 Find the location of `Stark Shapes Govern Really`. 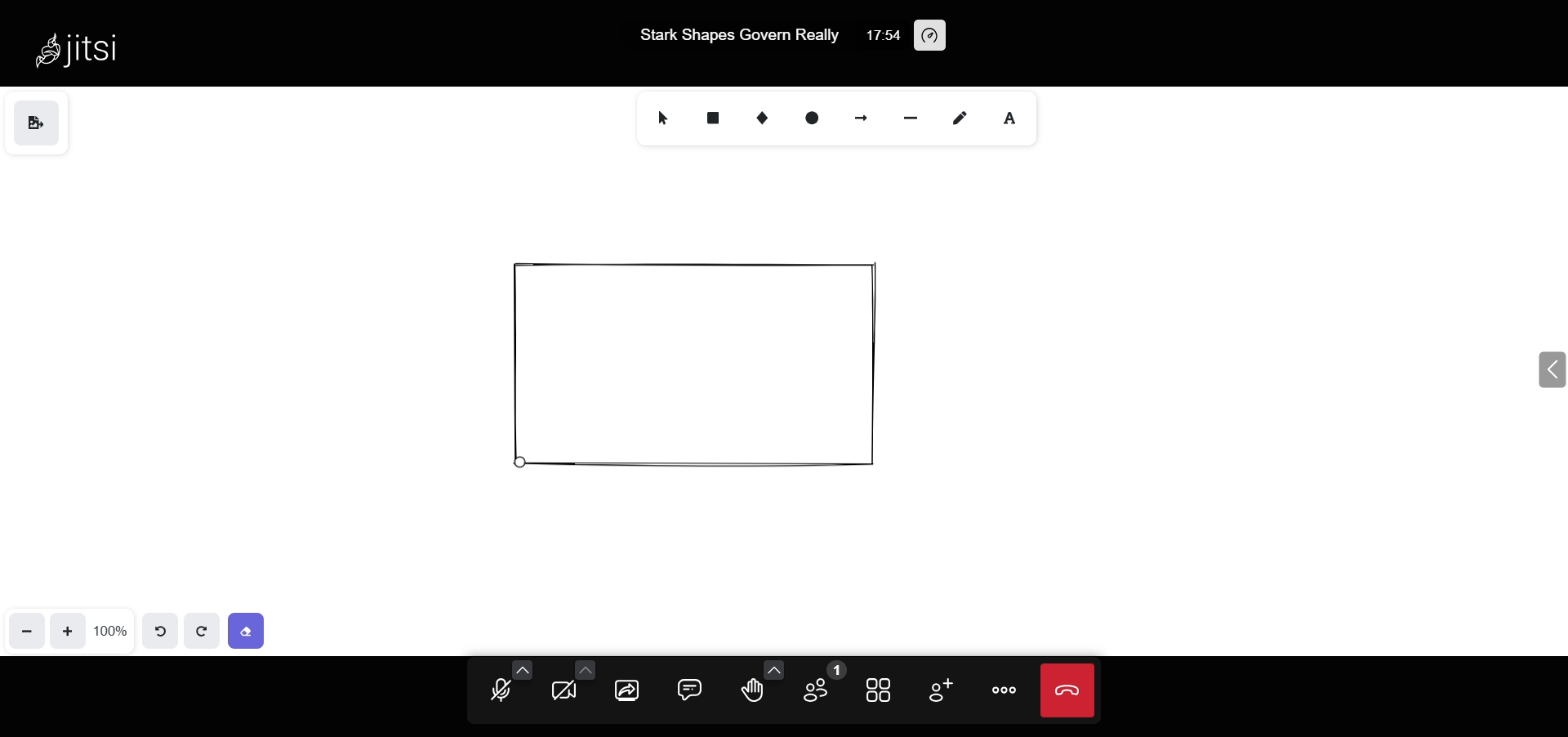

Stark Shapes Govern Really is located at coordinates (734, 34).